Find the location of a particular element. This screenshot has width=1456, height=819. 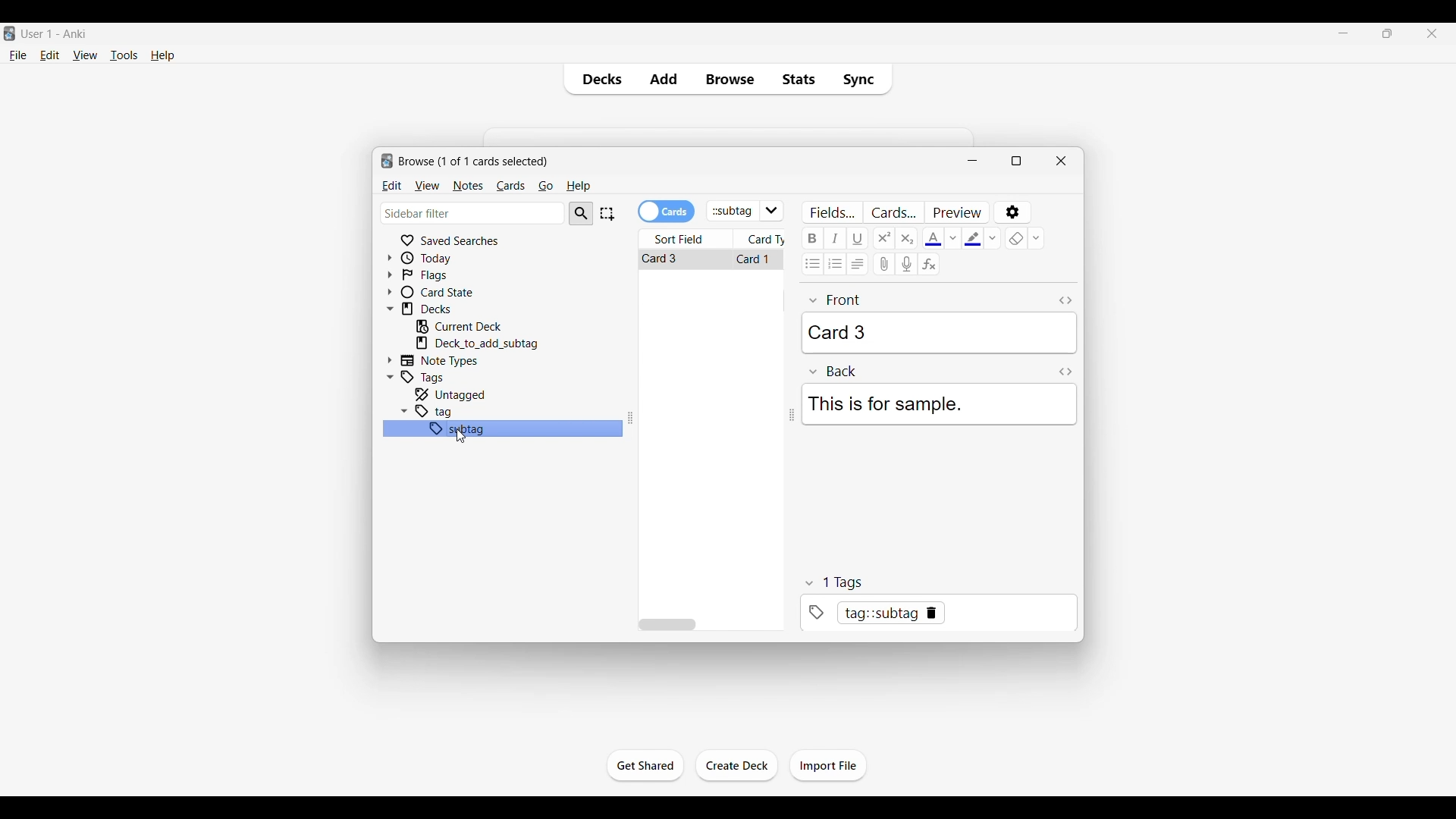

Number of cards to browse and window name is located at coordinates (473, 162).